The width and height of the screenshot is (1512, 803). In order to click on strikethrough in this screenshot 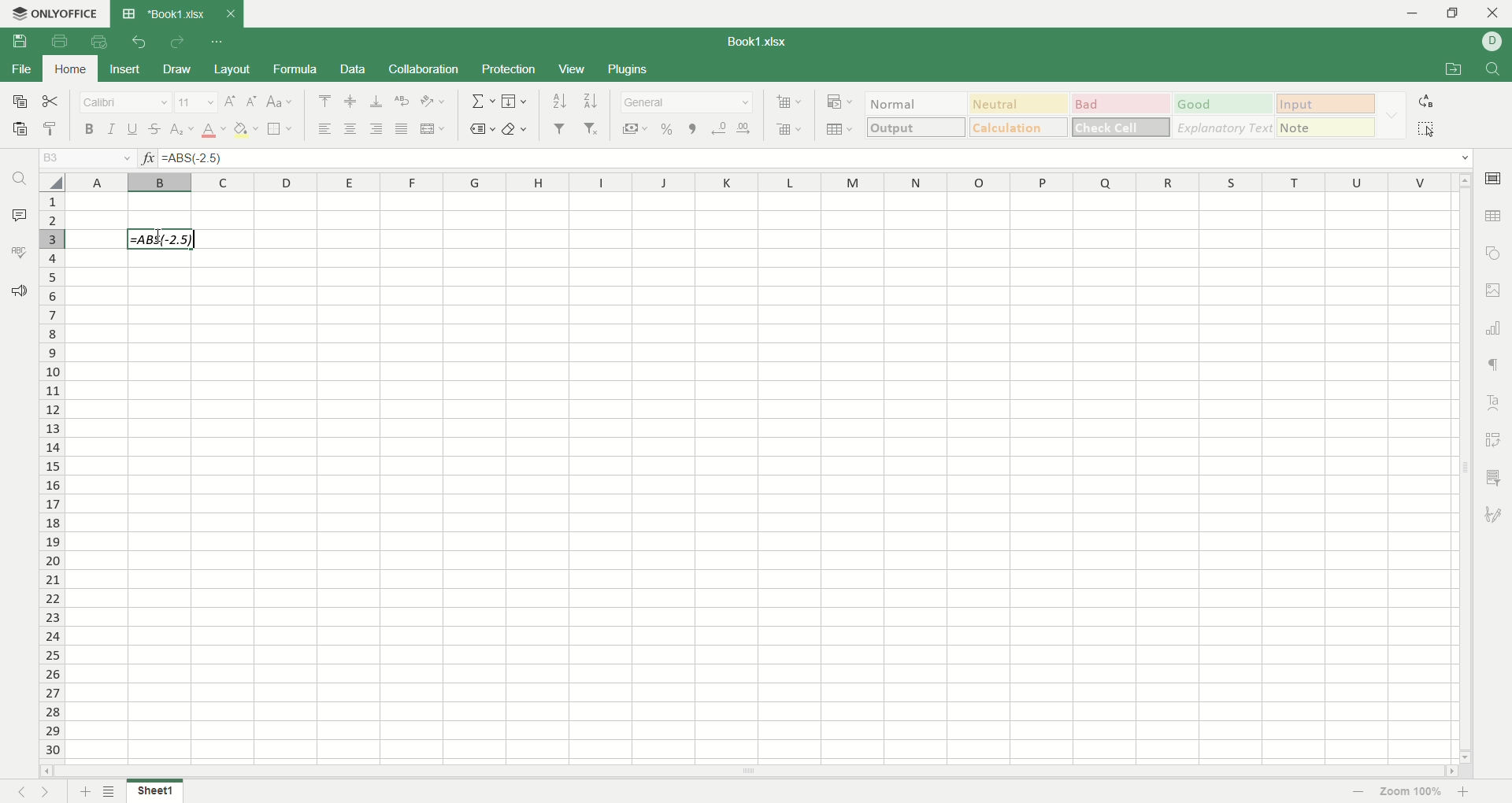, I will do `click(156, 128)`.